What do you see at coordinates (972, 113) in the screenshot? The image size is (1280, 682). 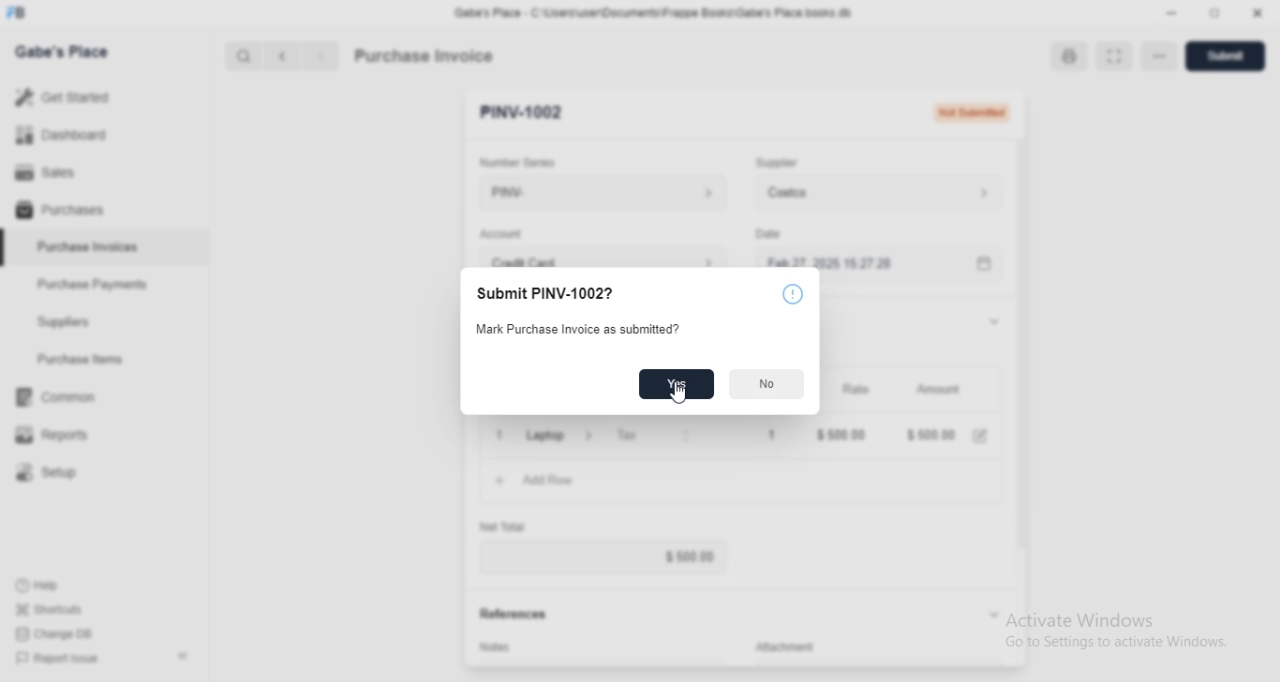 I see `Not Submitted` at bounding box center [972, 113].